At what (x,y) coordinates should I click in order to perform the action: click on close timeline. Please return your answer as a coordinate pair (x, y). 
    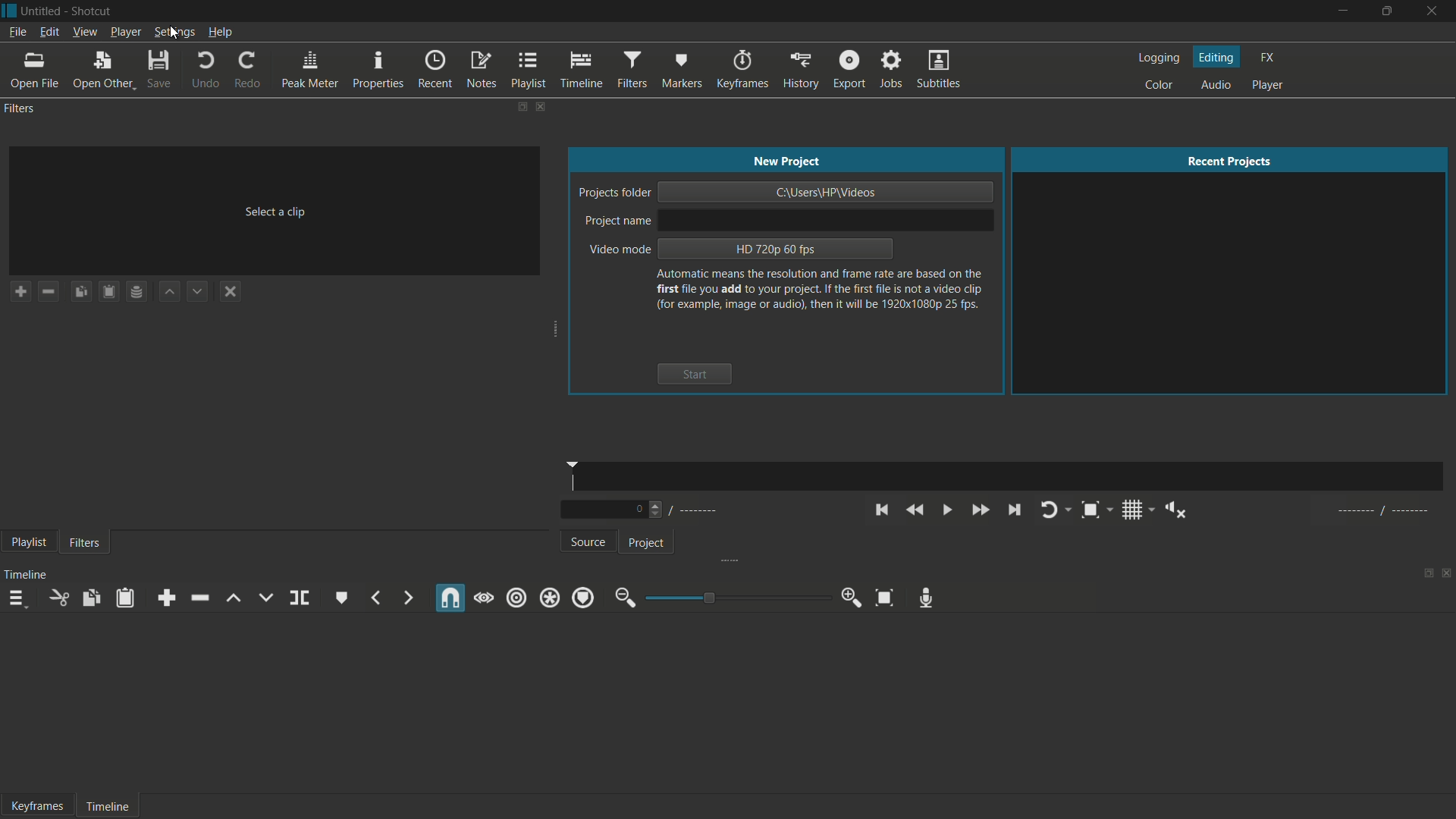
    Looking at the image, I should click on (1447, 573).